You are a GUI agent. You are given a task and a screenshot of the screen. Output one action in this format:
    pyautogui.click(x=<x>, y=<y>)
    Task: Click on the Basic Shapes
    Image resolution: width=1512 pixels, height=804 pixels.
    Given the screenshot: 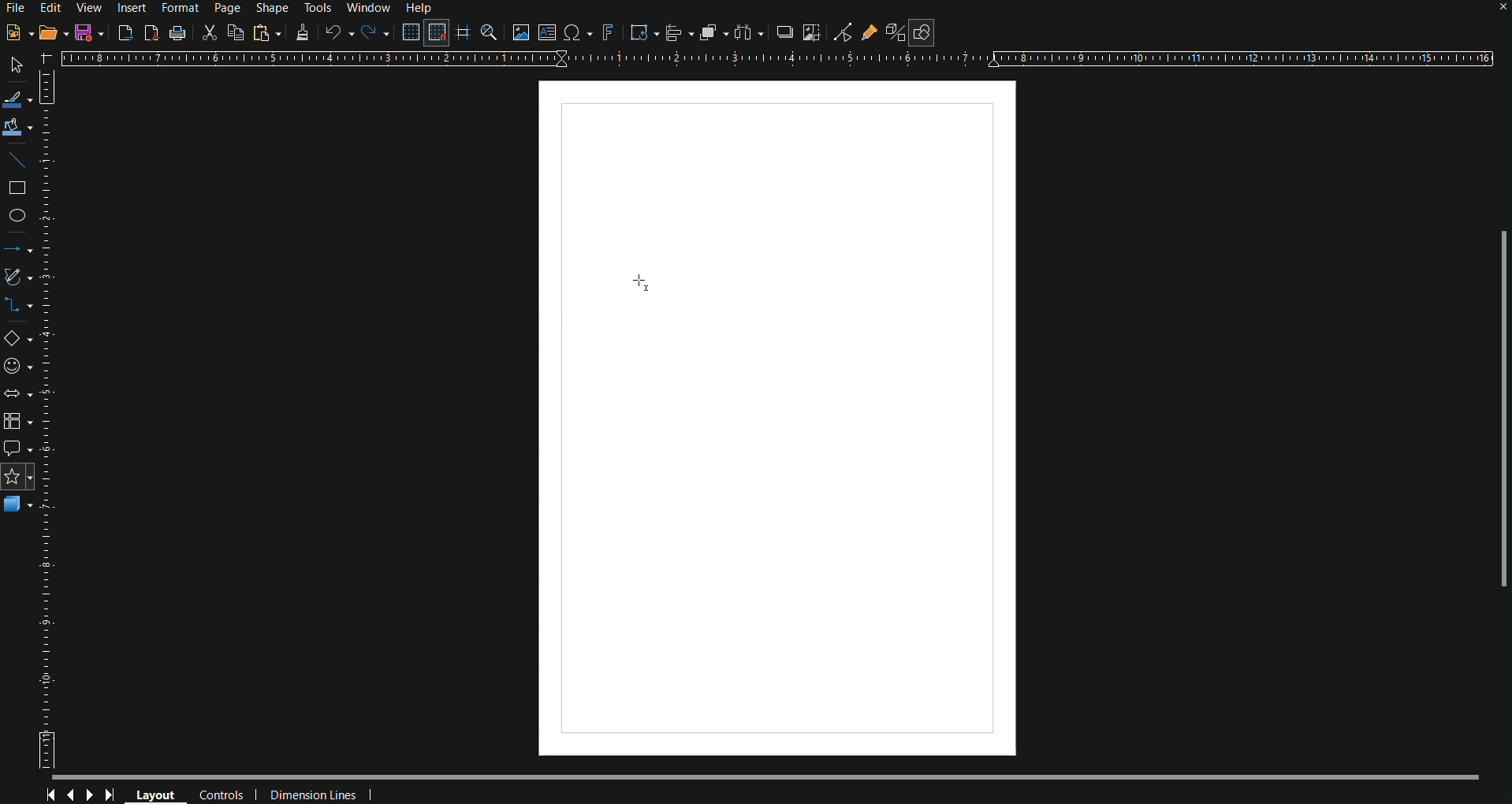 What is the action you would take?
    pyautogui.click(x=19, y=341)
    